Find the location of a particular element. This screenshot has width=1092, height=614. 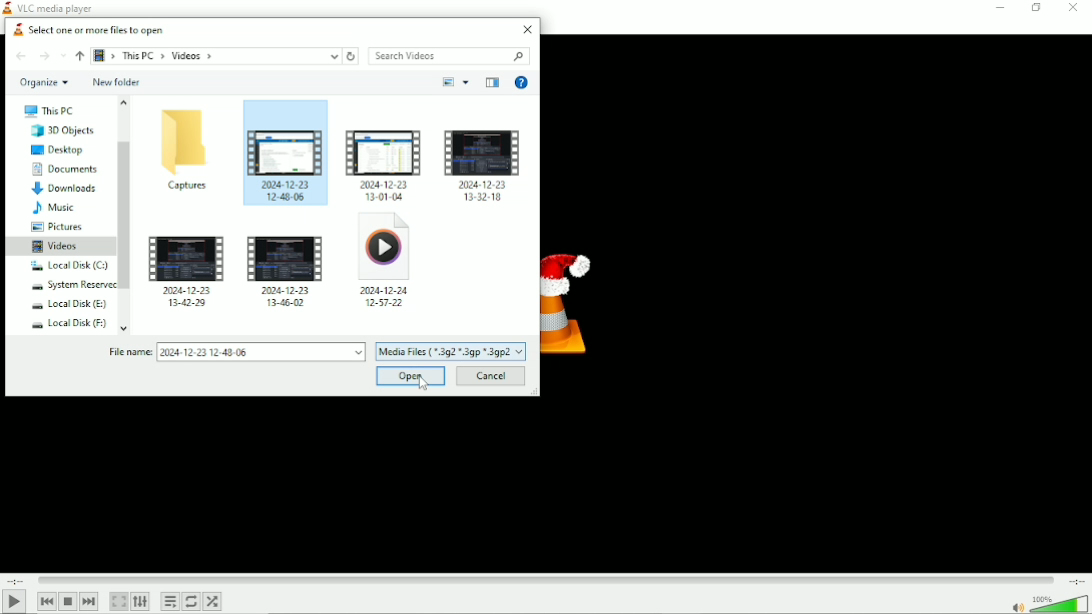

Show extended settings is located at coordinates (140, 601).